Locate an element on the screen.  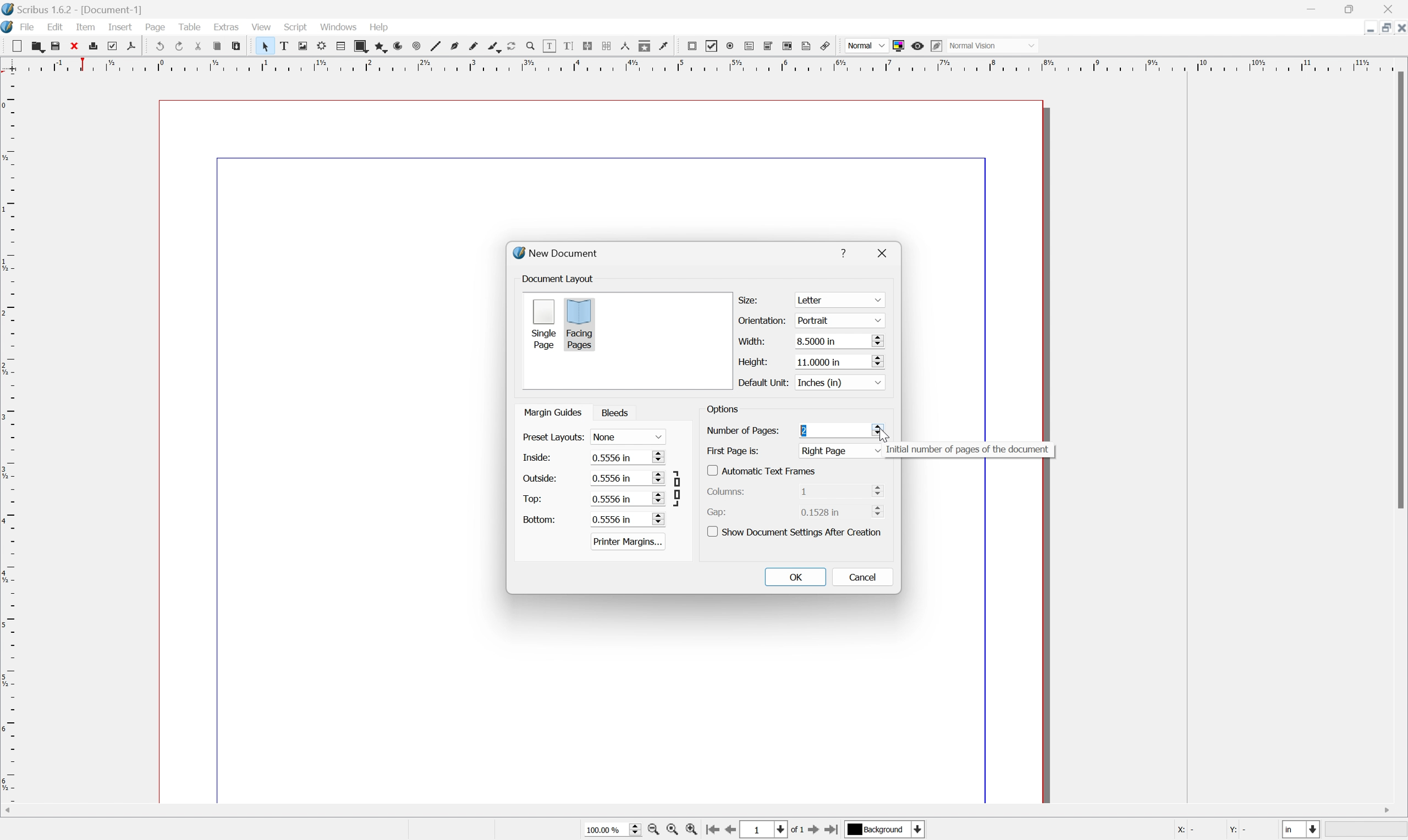
Item is located at coordinates (89, 27).